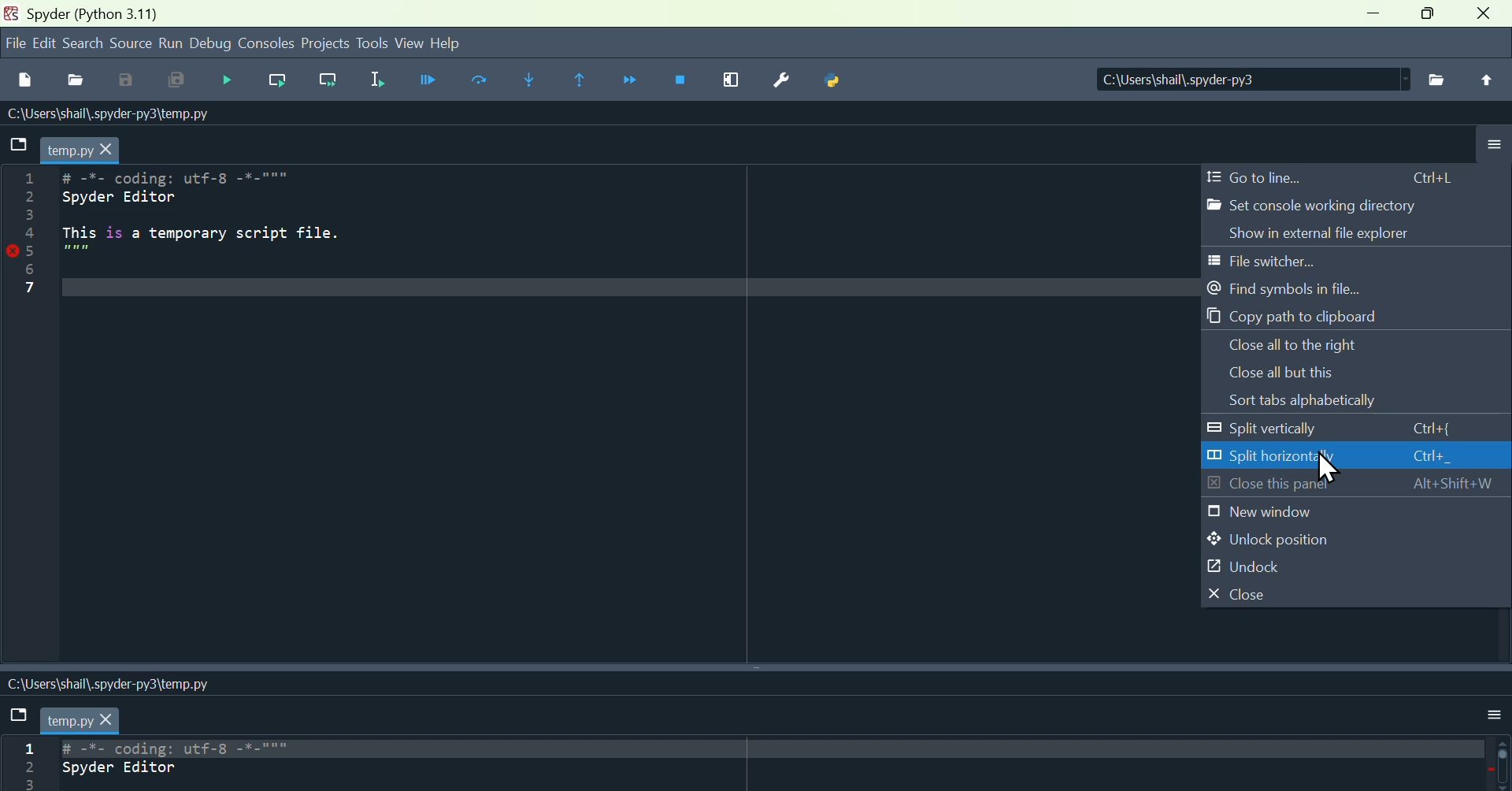  What do you see at coordinates (1376, 13) in the screenshot?
I see `minimise` at bounding box center [1376, 13].